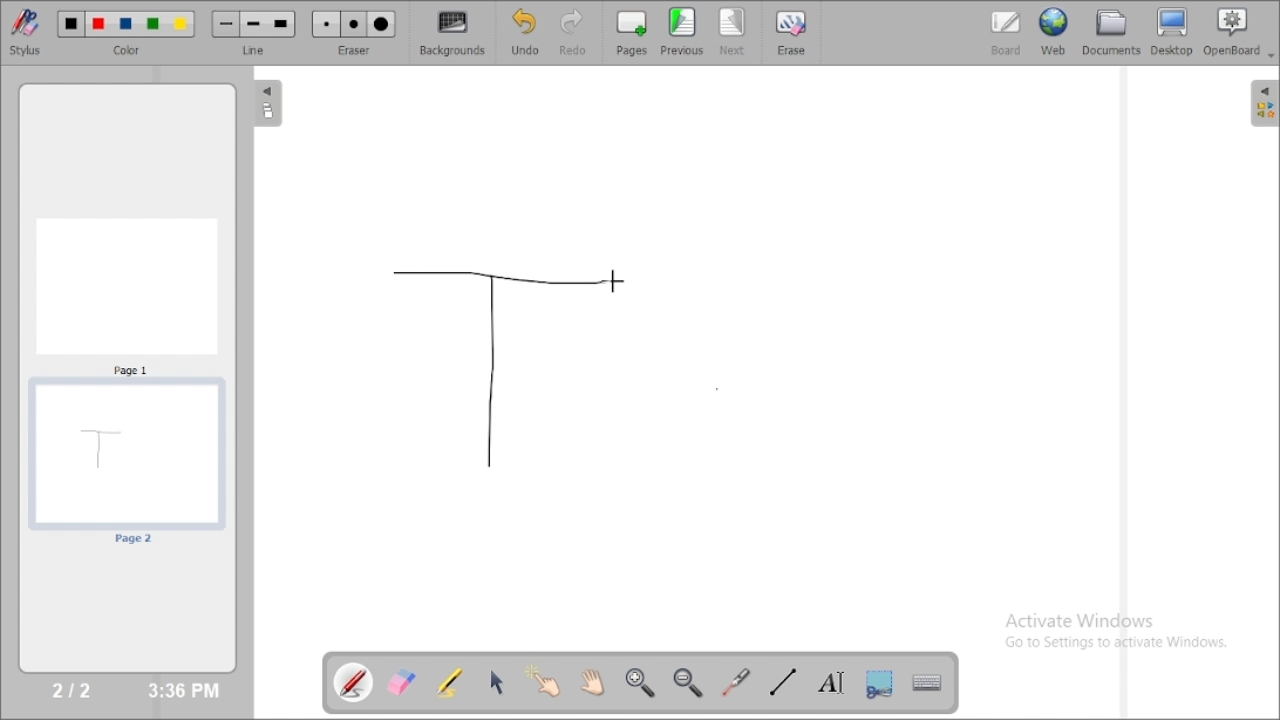  Describe the element at coordinates (182, 691) in the screenshot. I see `3:36 PM` at that location.